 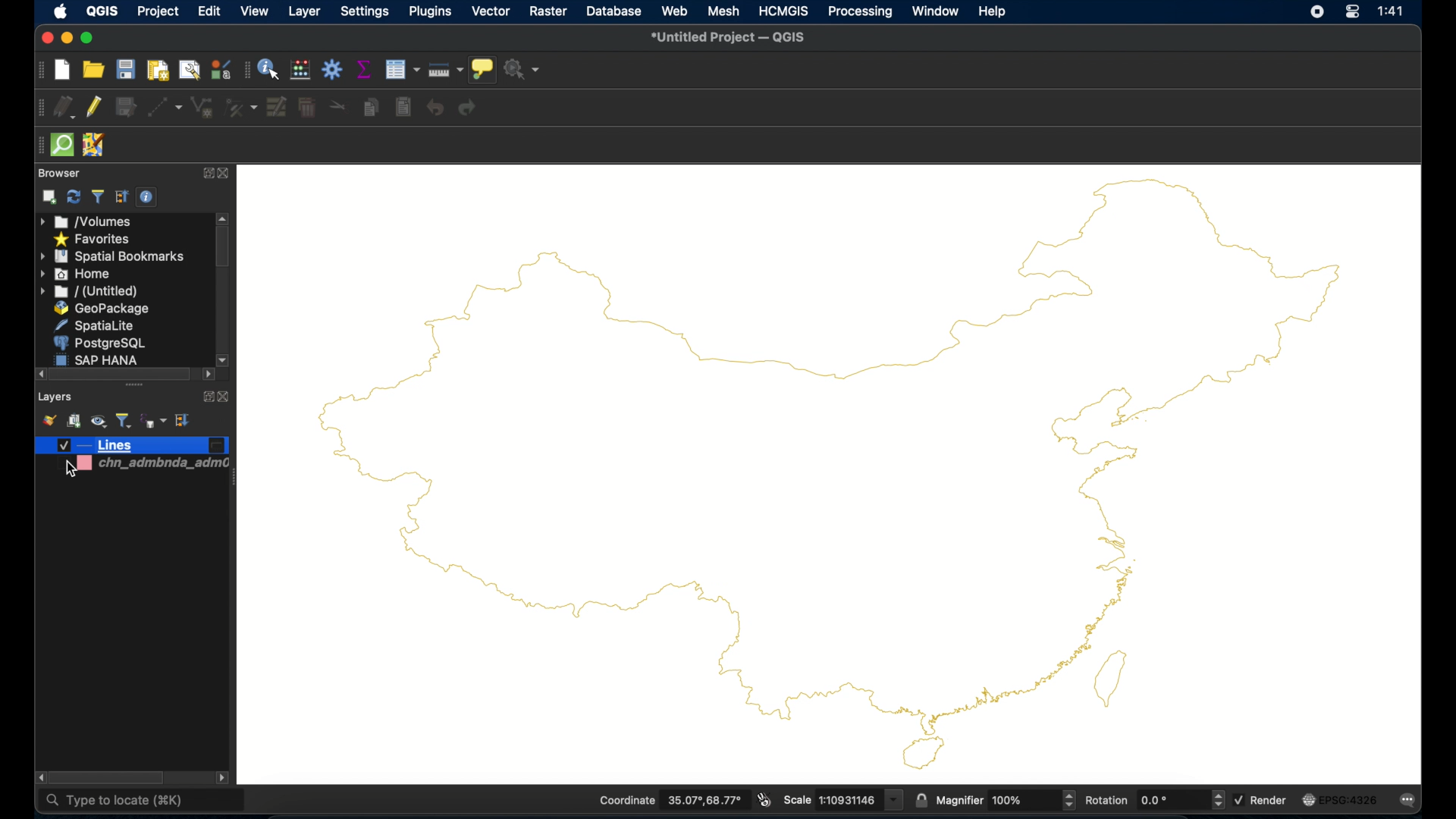 What do you see at coordinates (67, 469) in the screenshot?
I see `cursor` at bounding box center [67, 469].